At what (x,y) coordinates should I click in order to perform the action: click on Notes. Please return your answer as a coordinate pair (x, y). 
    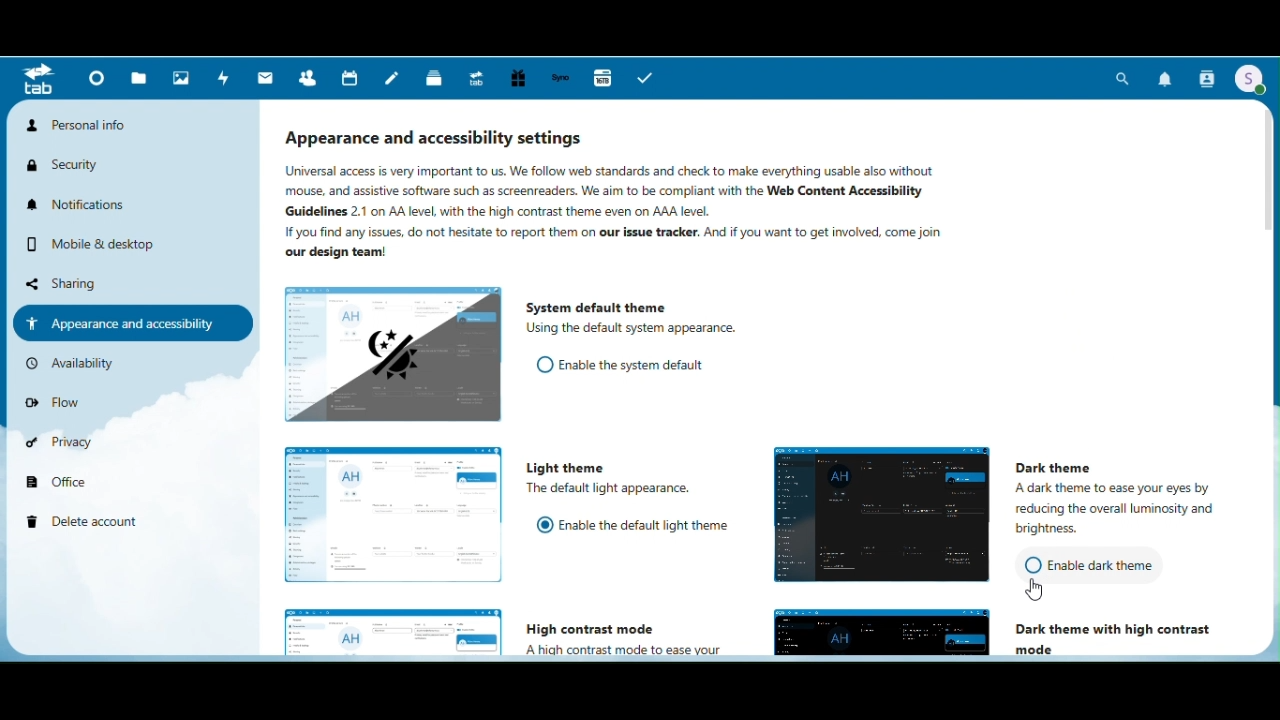
    Looking at the image, I should click on (393, 79).